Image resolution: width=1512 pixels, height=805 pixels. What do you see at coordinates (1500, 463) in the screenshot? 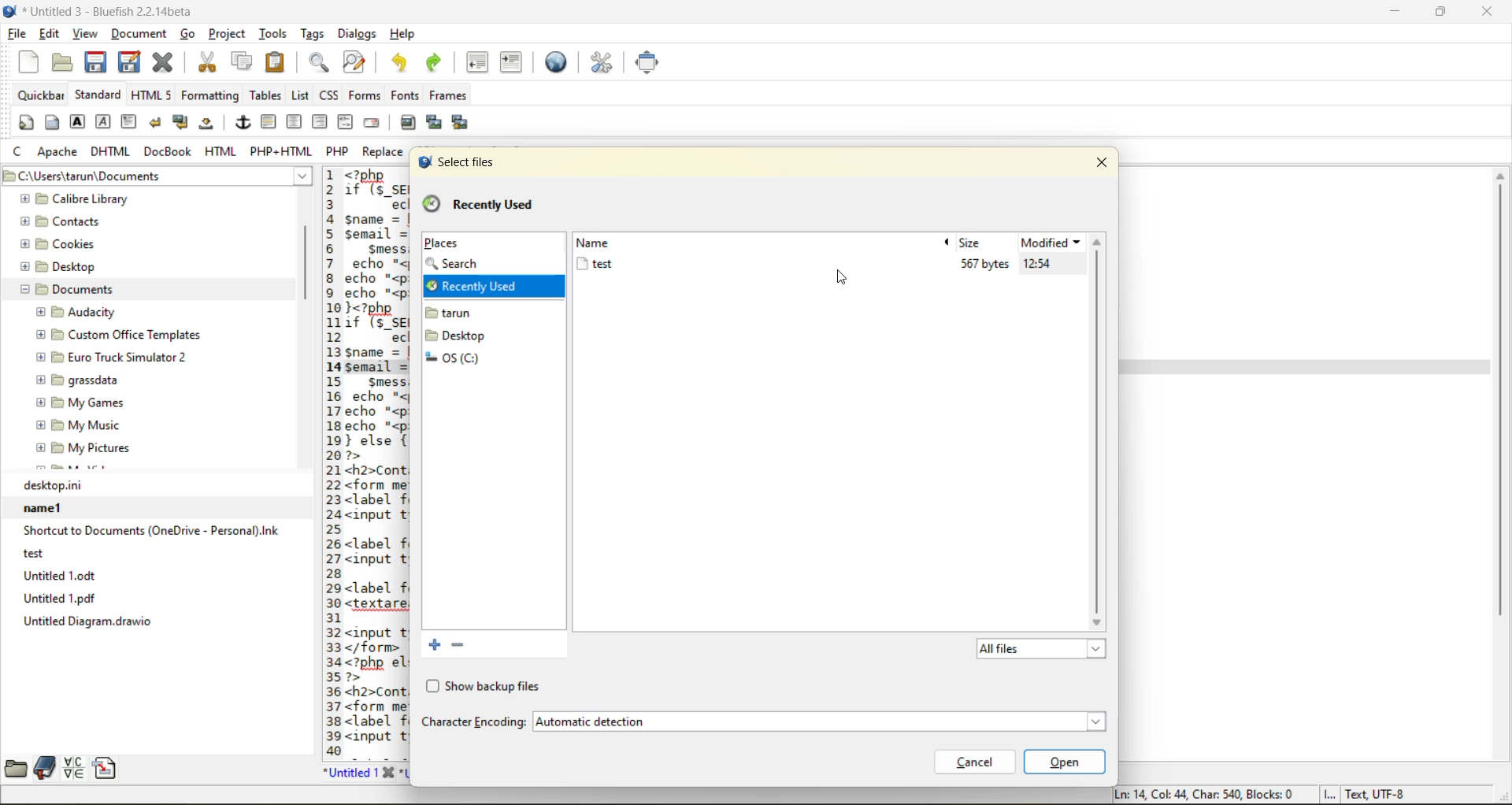
I see `vertical scrollbar` at bounding box center [1500, 463].